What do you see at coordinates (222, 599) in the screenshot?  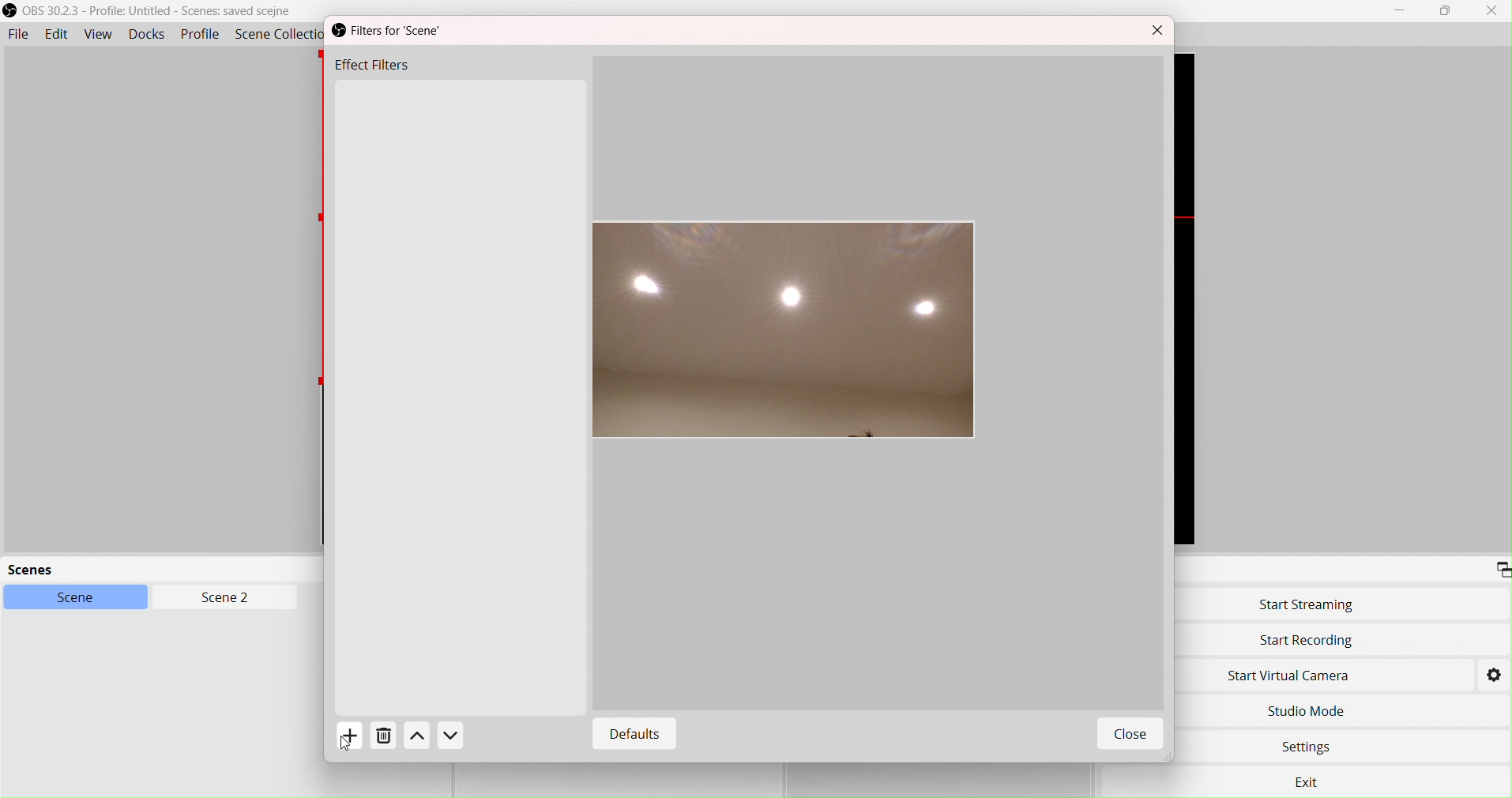 I see `Scen2` at bounding box center [222, 599].